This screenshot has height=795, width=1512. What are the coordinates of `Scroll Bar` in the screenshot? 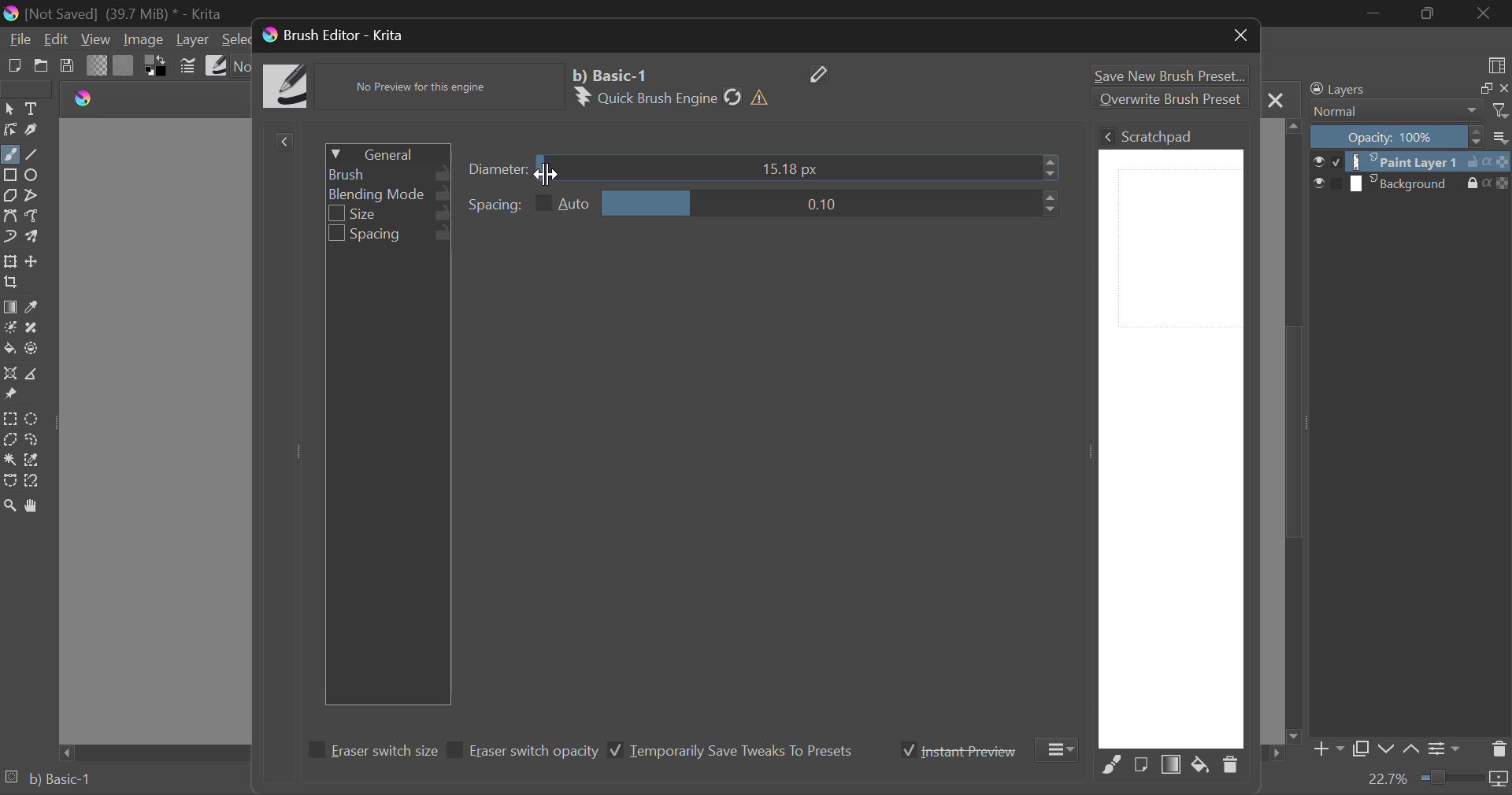 It's located at (1295, 430).